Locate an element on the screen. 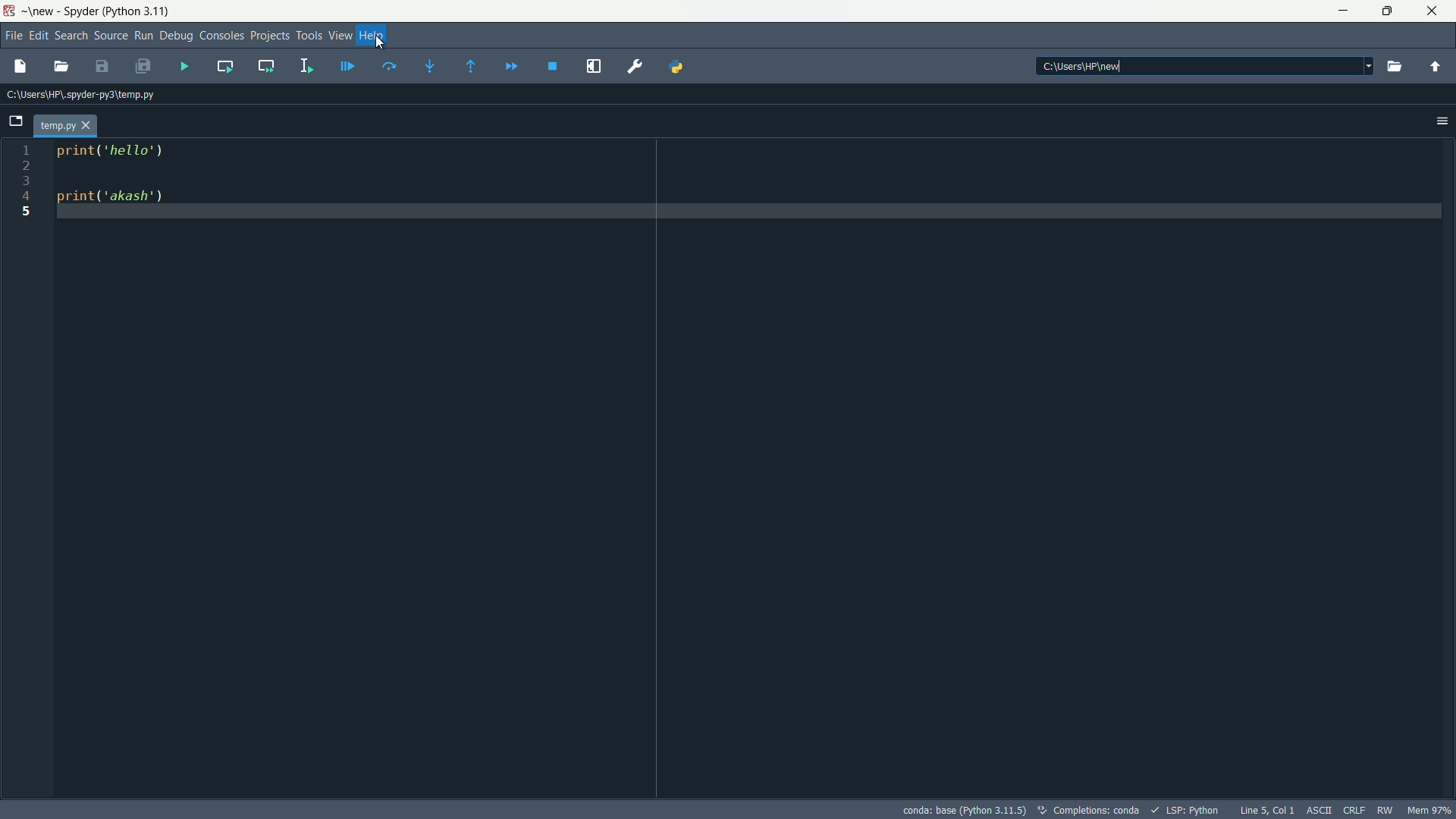 The image size is (1456, 819). help menu is located at coordinates (375, 36).